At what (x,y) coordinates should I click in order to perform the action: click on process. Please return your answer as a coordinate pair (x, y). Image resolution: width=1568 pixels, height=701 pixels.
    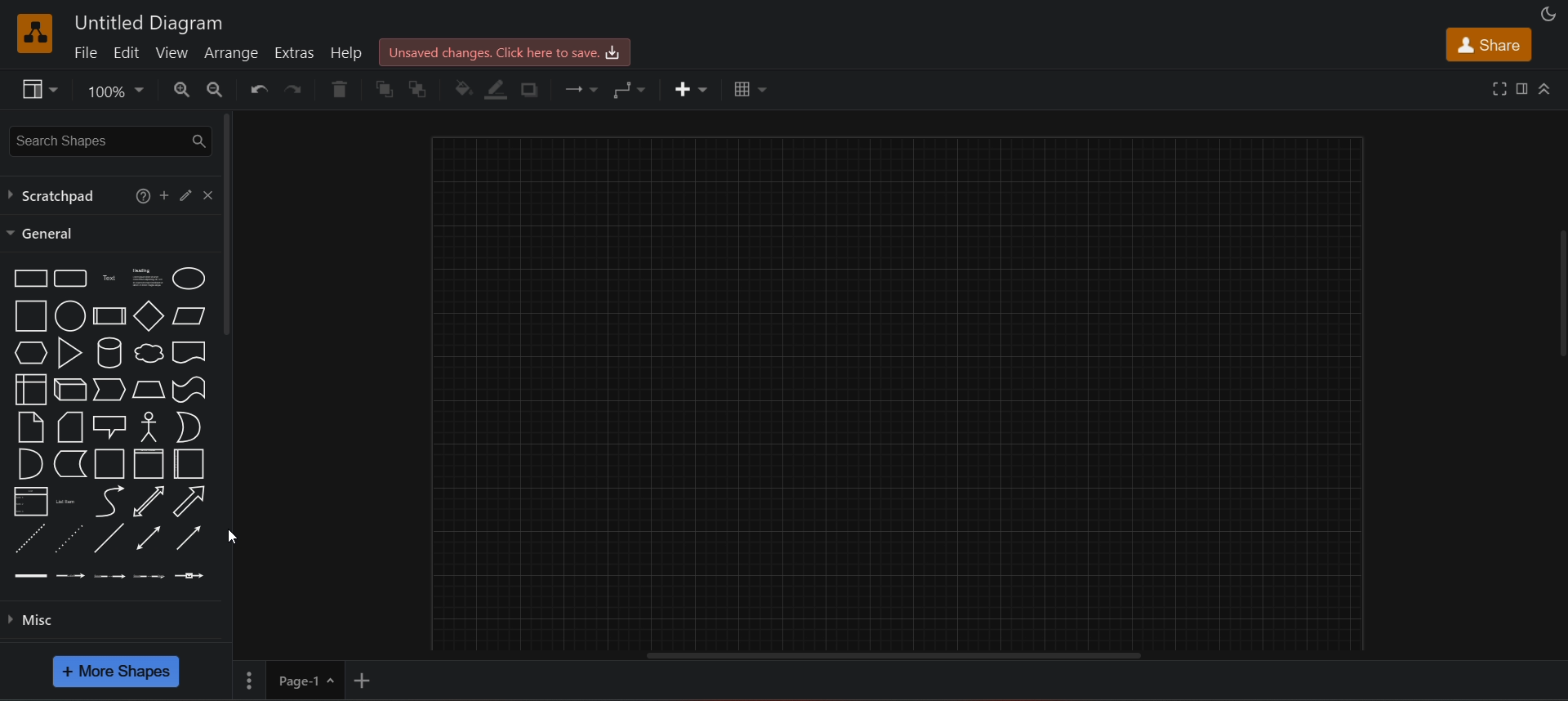
    Looking at the image, I should click on (108, 315).